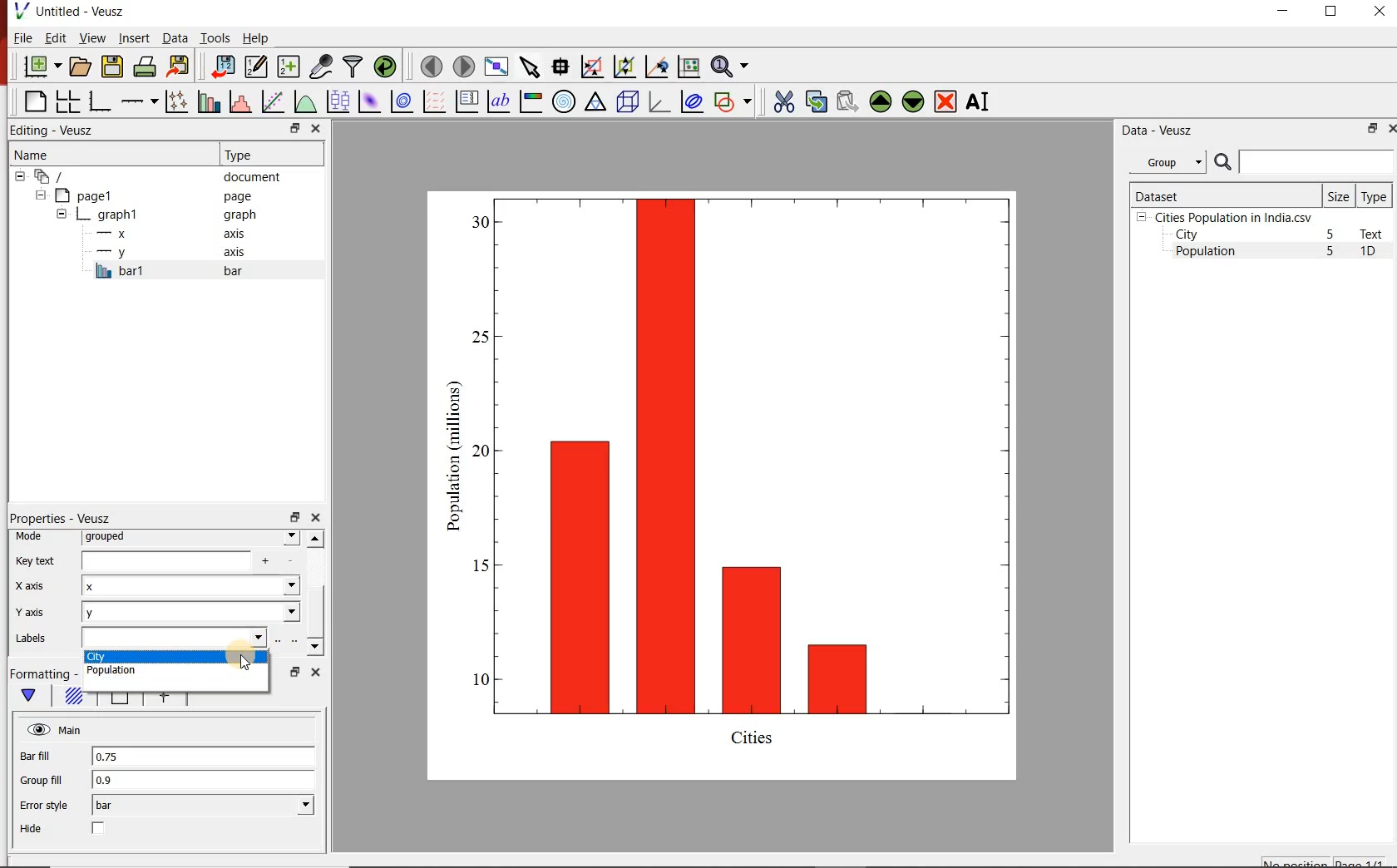 The height and width of the screenshot is (868, 1397). What do you see at coordinates (254, 67) in the screenshot?
I see `edit and enter new datasets` at bounding box center [254, 67].